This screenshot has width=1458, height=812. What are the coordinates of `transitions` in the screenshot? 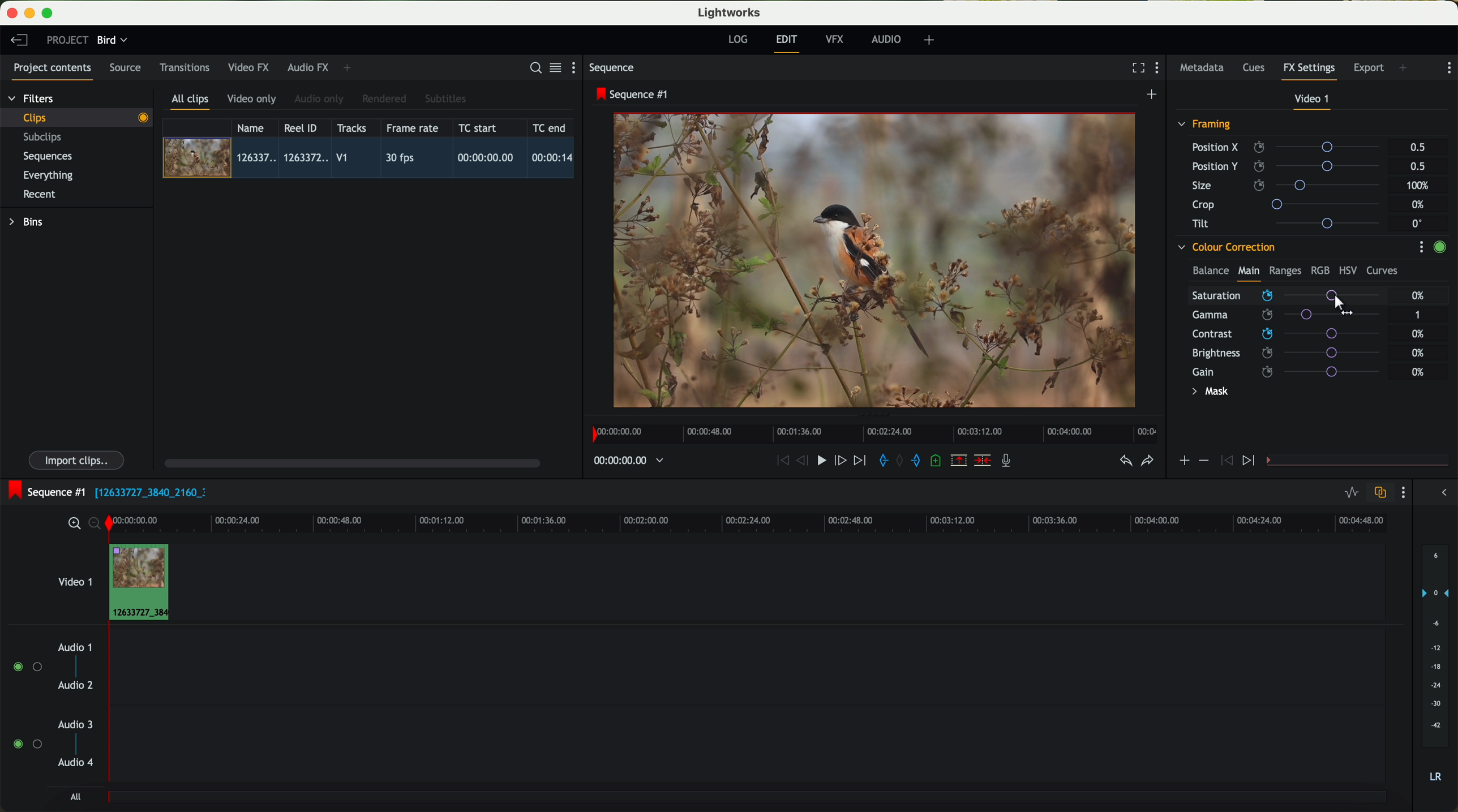 It's located at (184, 67).